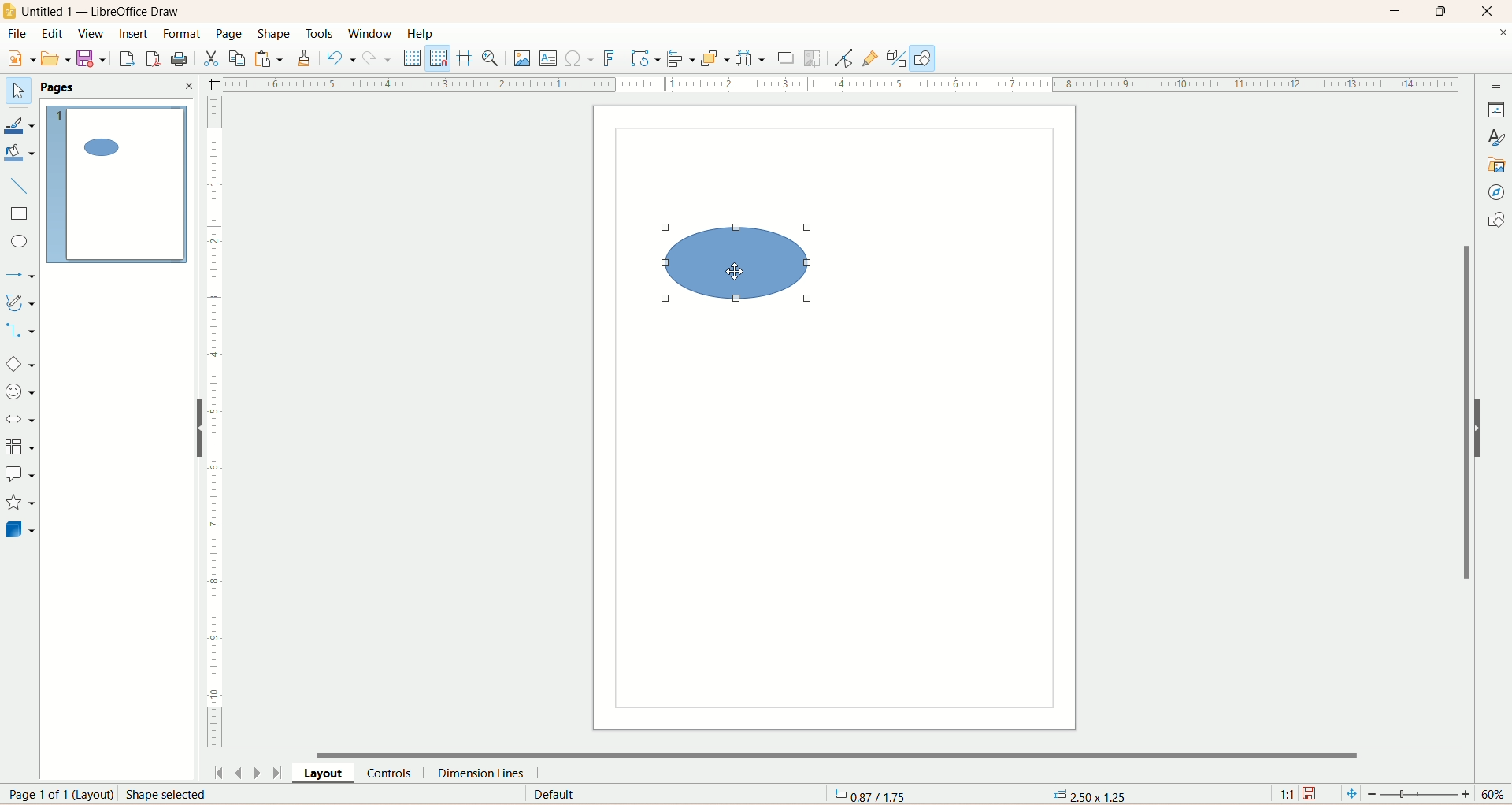 The image size is (1512, 805). What do you see at coordinates (20, 302) in the screenshot?
I see `curve and polygon` at bounding box center [20, 302].